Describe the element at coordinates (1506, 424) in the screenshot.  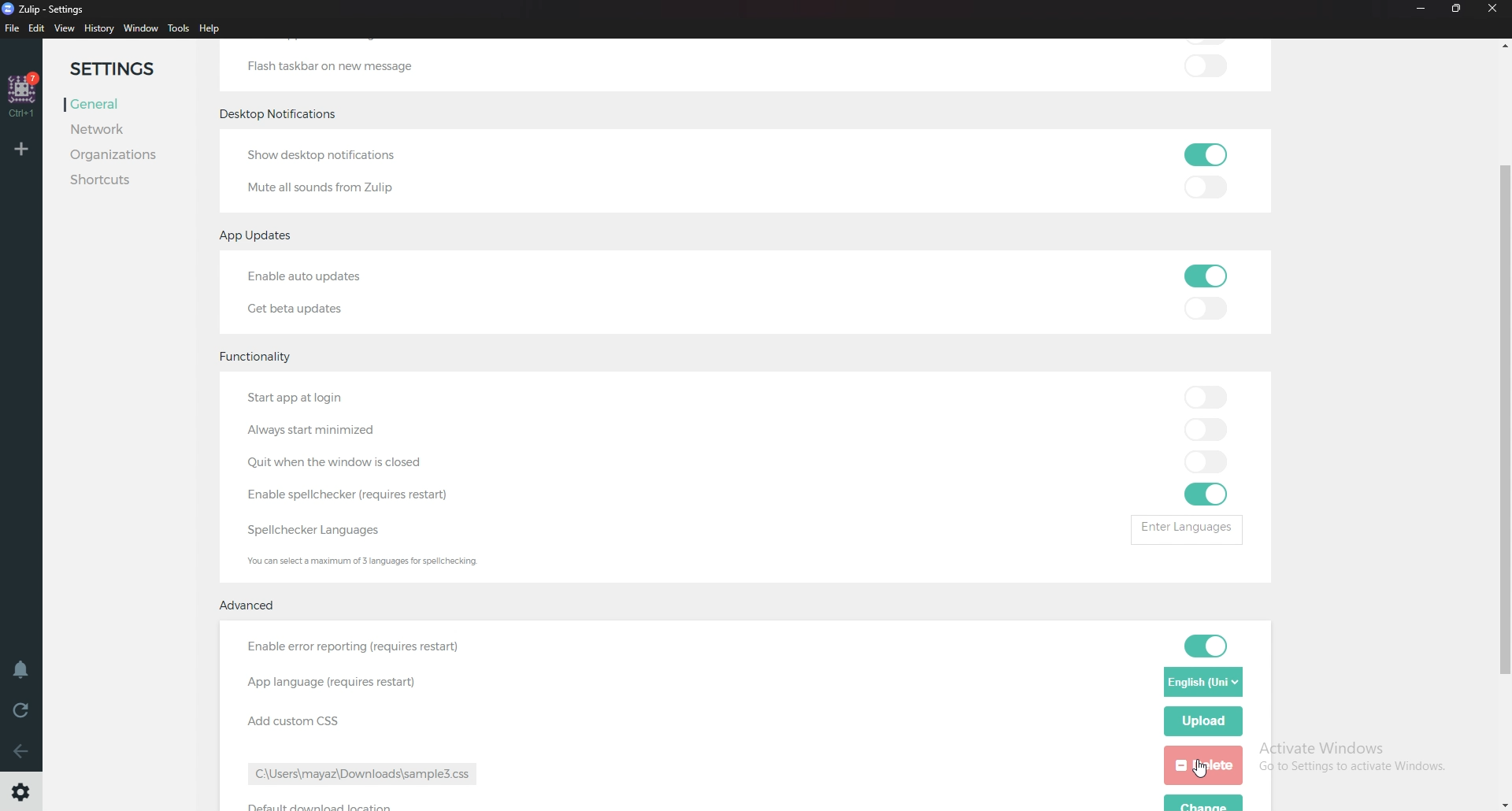
I see `scroll bar` at that location.